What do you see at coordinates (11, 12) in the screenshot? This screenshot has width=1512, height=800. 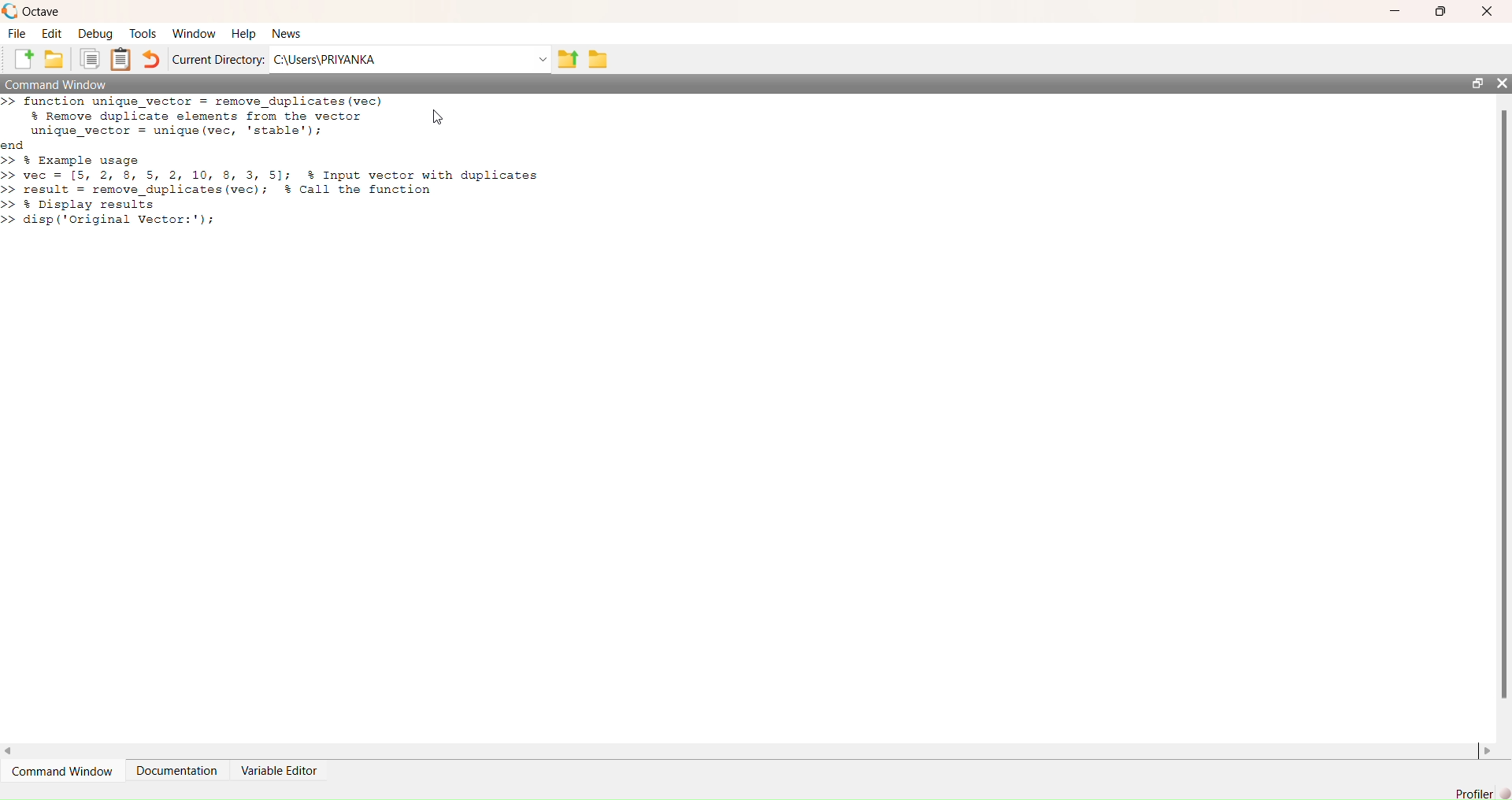 I see `logo` at bounding box center [11, 12].